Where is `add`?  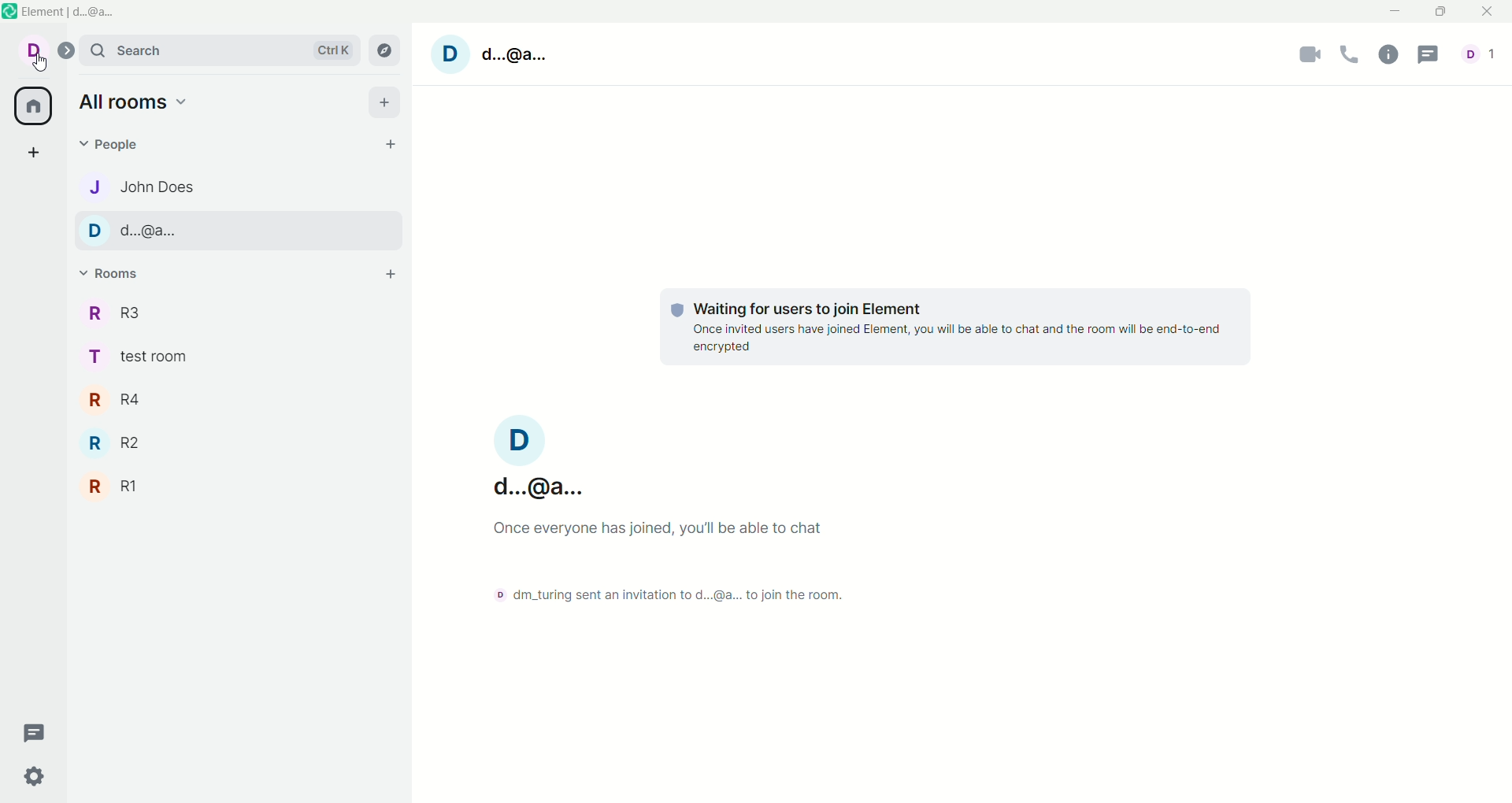 add is located at coordinates (389, 271).